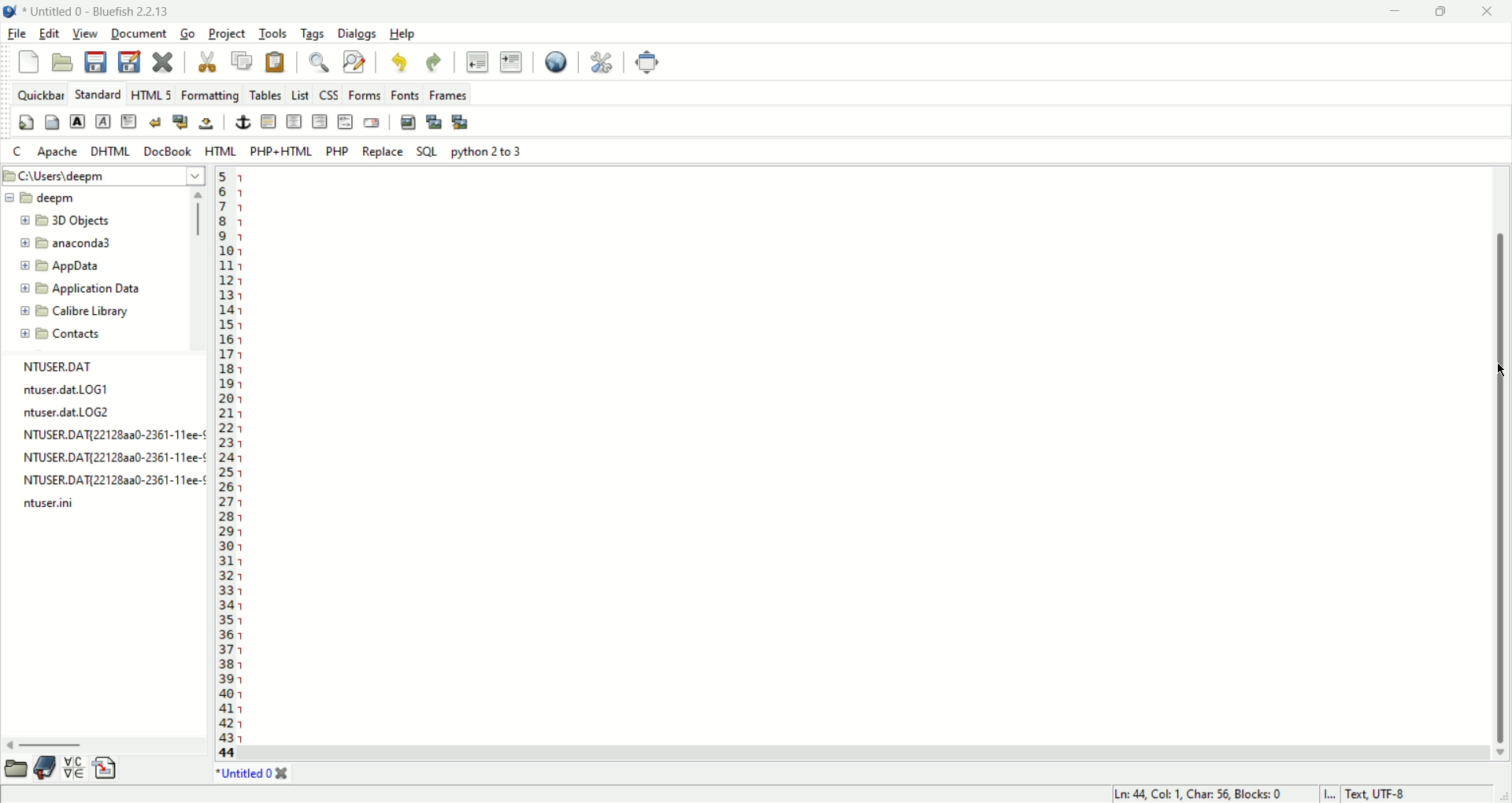 The height and width of the screenshot is (803, 1512). Describe the element at coordinates (555, 62) in the screenshot. I see `view in browser` at that location.